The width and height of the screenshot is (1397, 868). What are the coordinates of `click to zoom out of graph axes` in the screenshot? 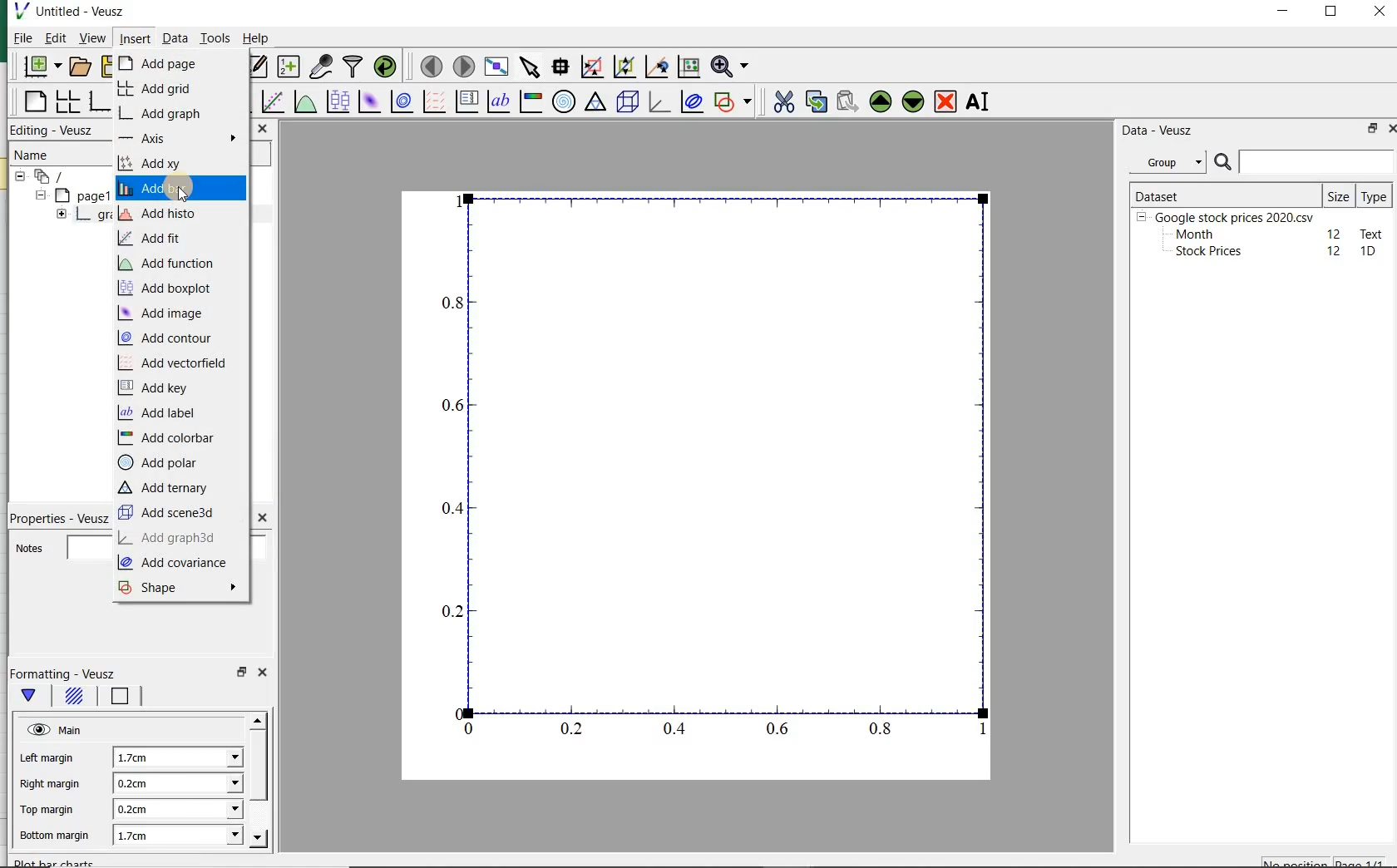 It's located at (623, 65).